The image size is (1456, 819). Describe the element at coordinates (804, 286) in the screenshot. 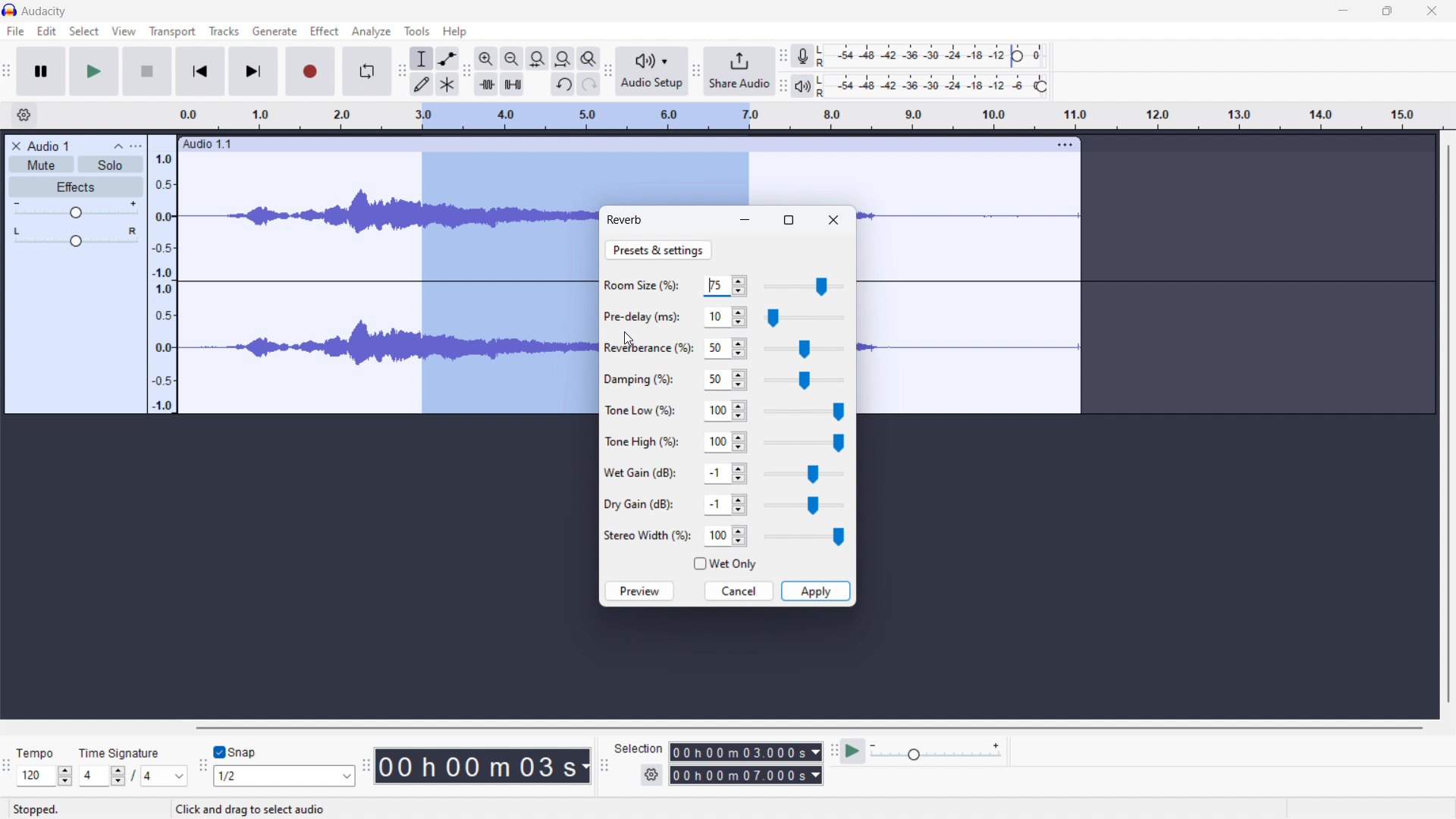

I see `room size slider` at that location.